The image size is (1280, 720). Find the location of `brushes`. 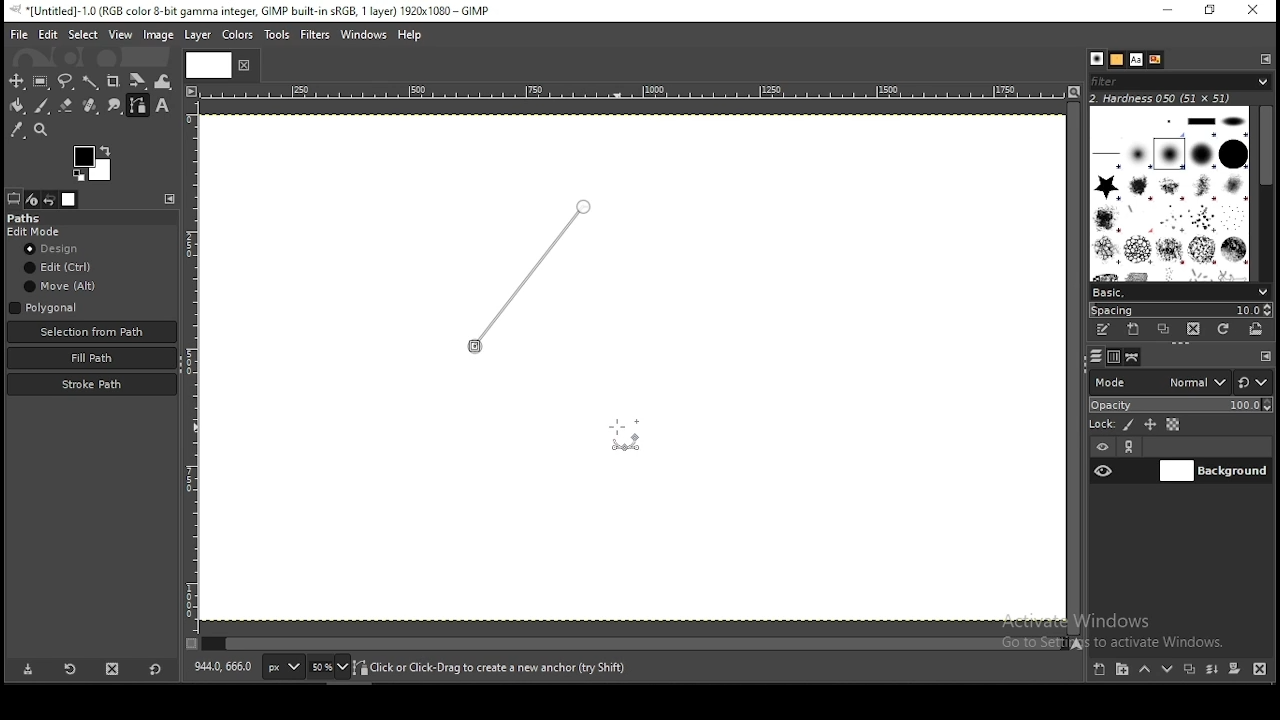

brushes is located at coordinates (1097, 59).